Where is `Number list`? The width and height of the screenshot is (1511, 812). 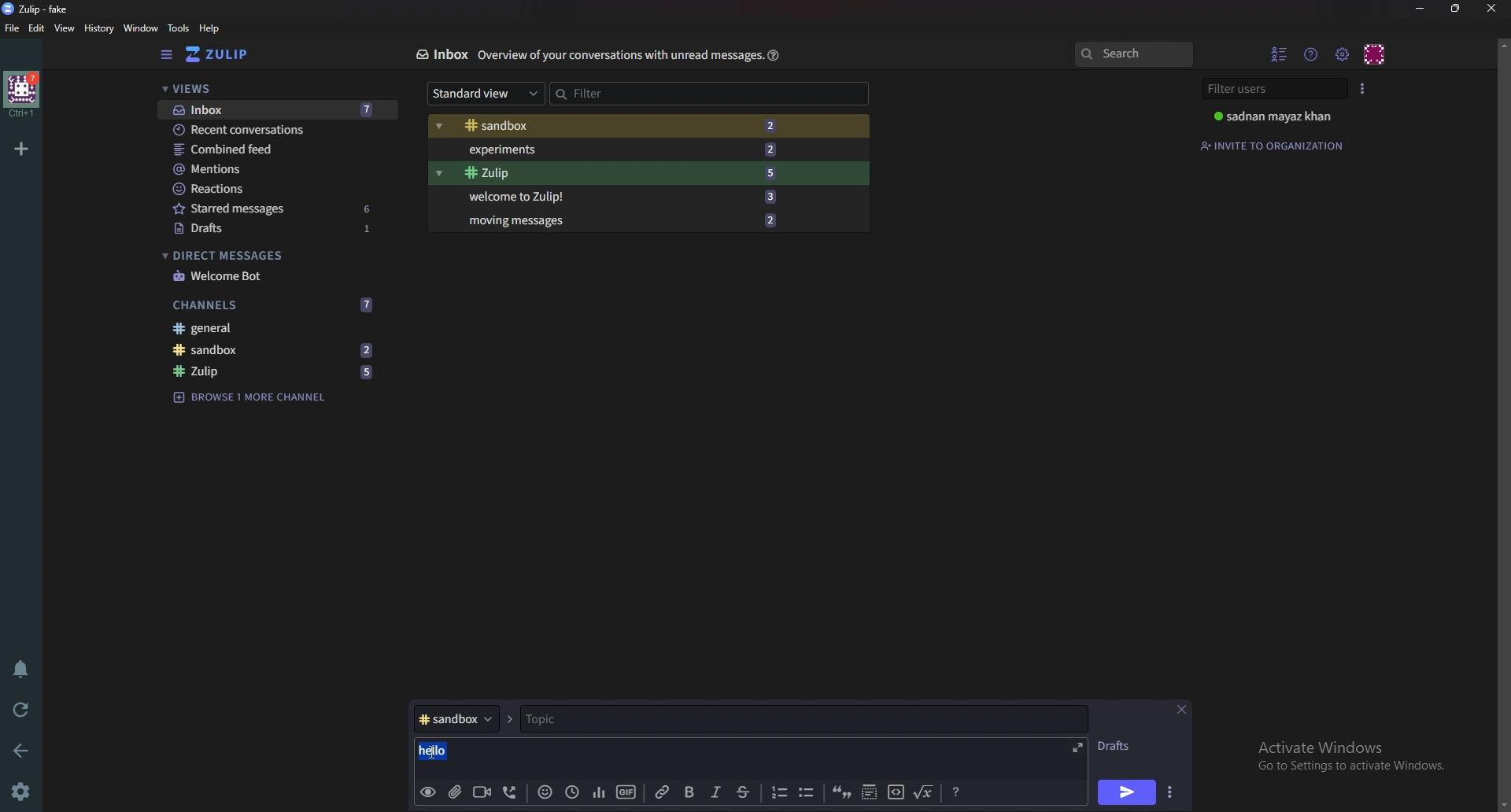 Number list is located at coordinates (777, 792).